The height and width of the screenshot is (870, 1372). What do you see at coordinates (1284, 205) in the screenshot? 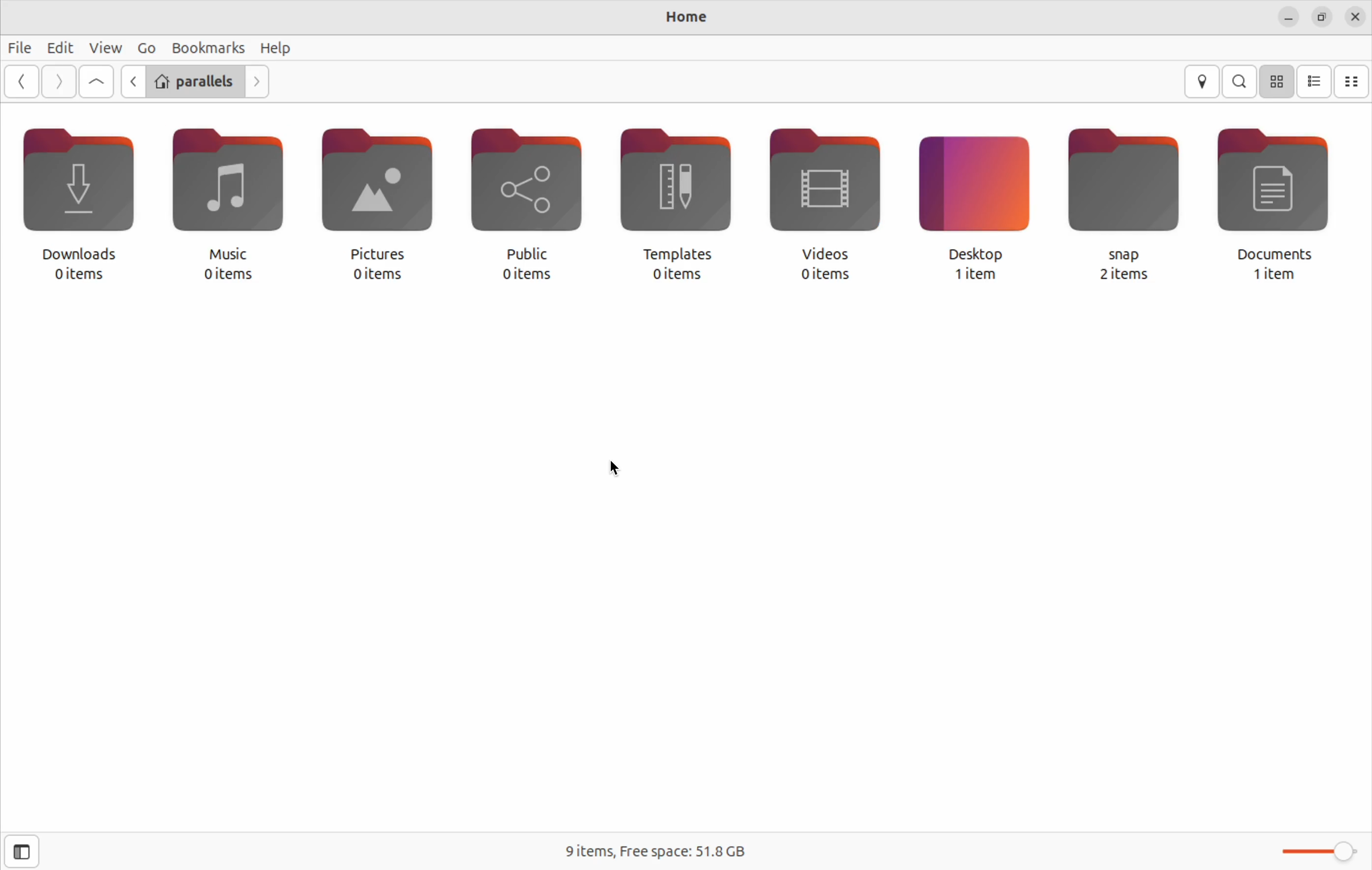
I see `Documents` at bounding box center [1284, 205].